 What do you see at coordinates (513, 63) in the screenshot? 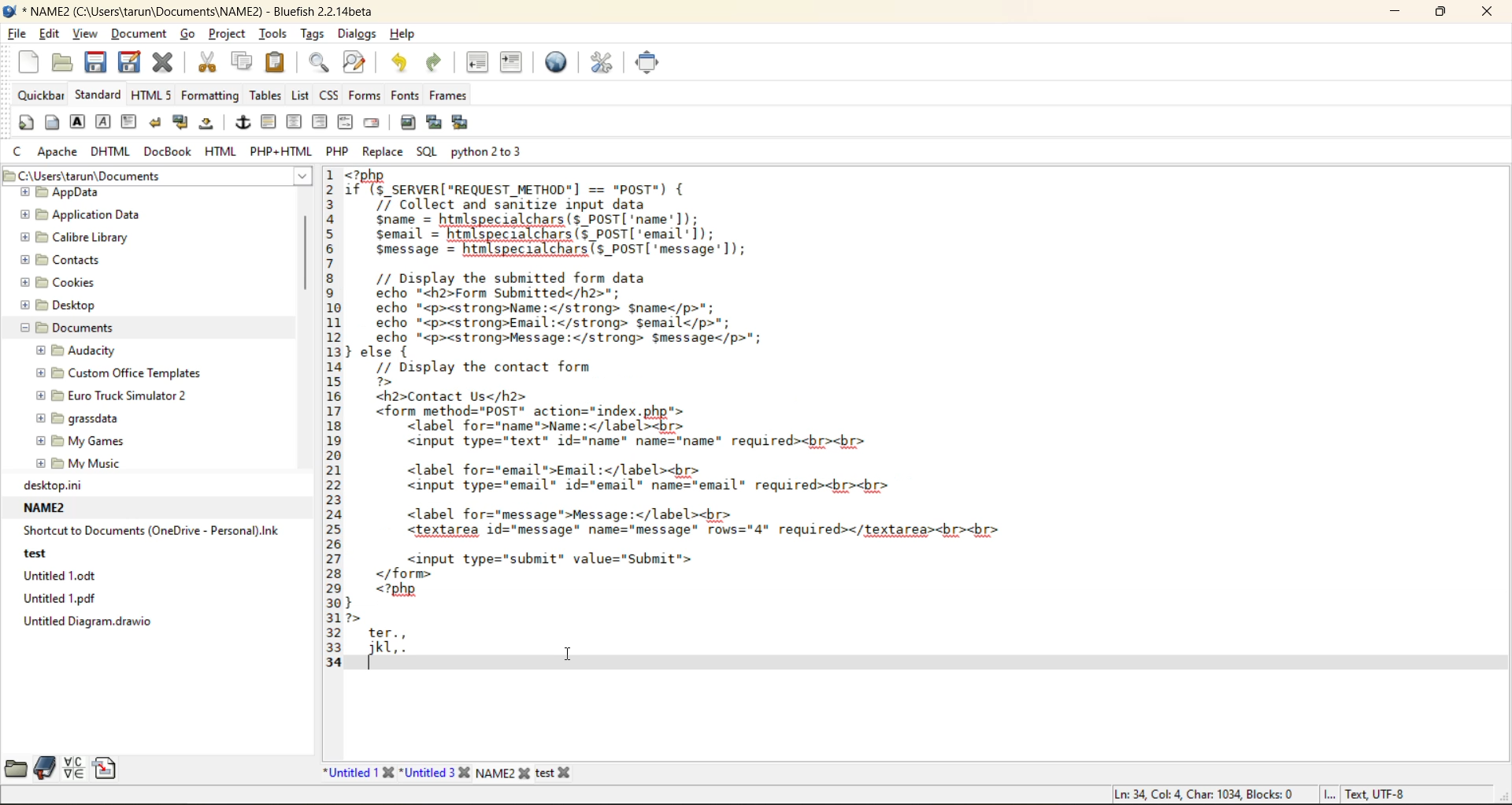
I see `indent` at bounding box center [513, 63].